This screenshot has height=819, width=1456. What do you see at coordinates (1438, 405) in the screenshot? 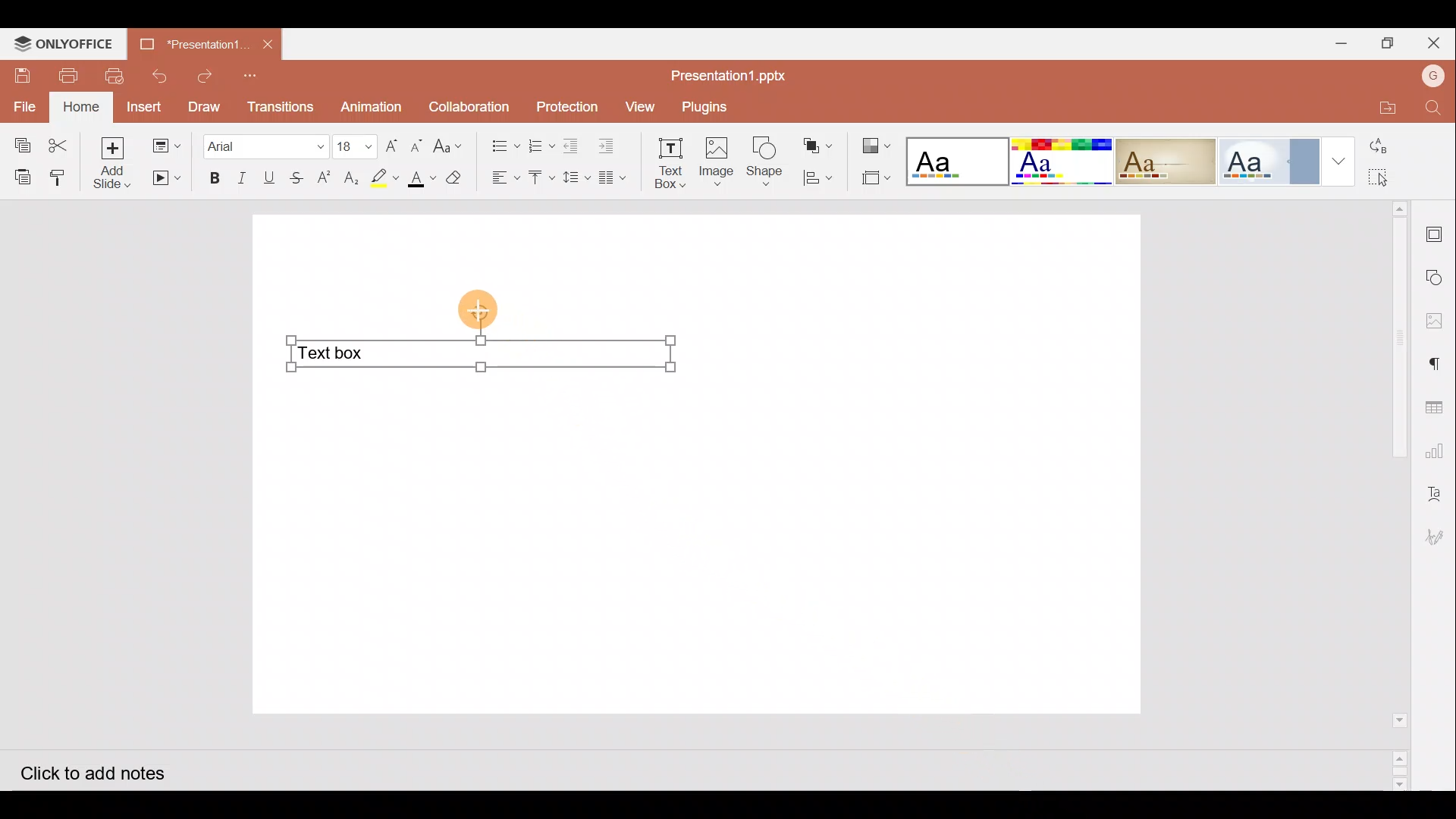
I see `Table settings` at bounding box center [1438, 405].